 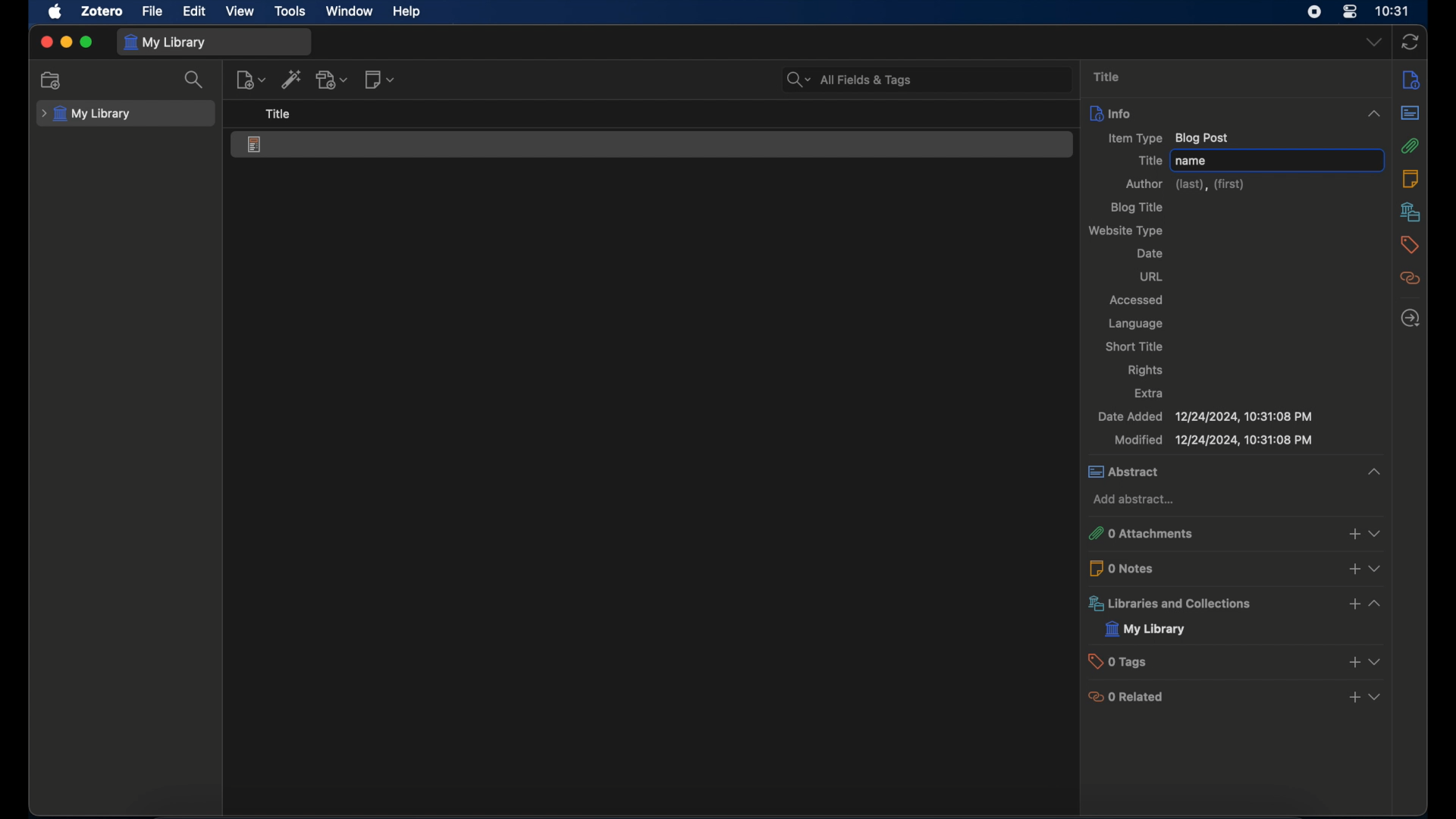 What do you see at coordinates (167, 42) in the screenshot?
I see `my library` at bounding box center [167, 42].